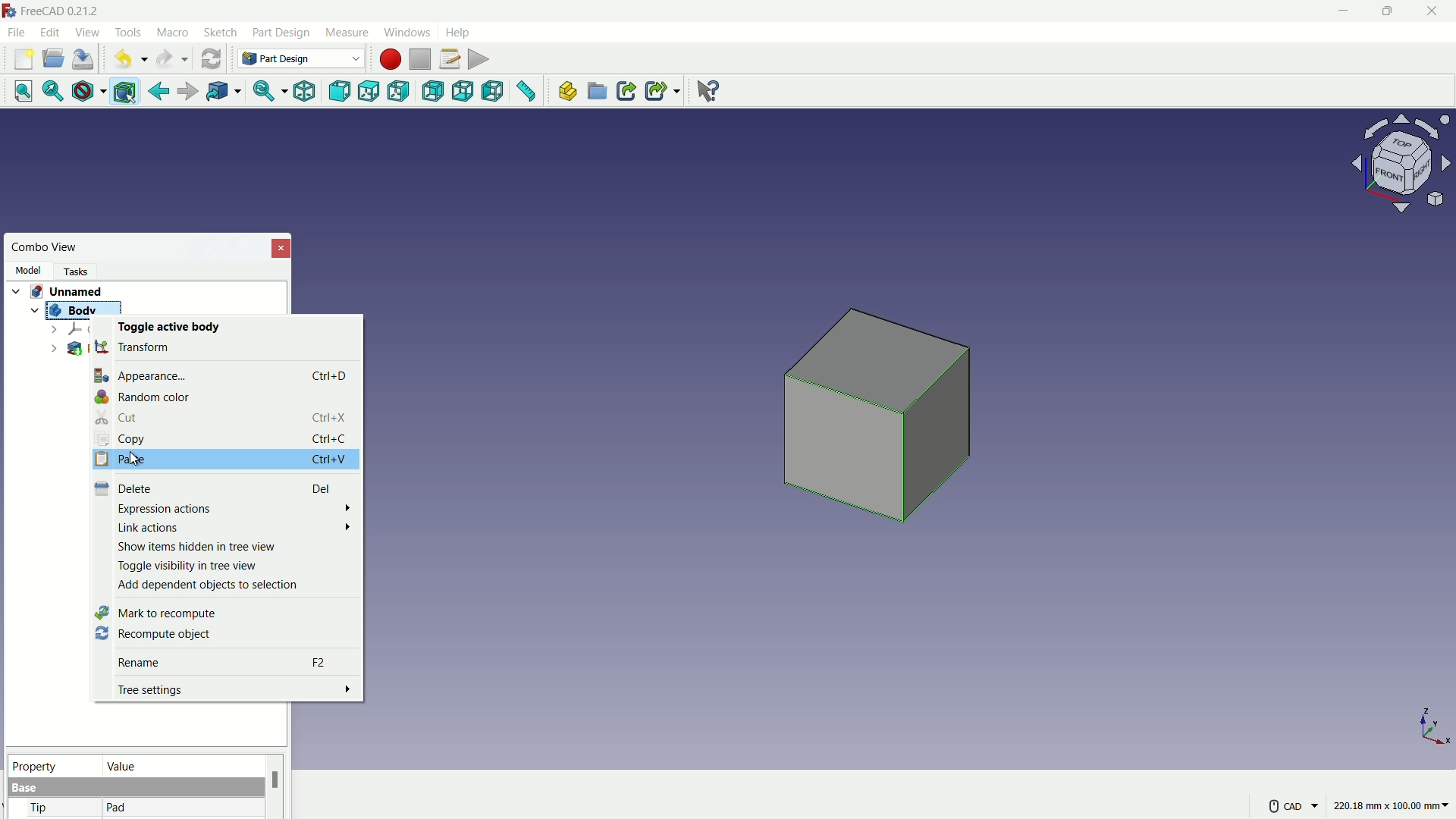 The height and width of the screenshot is (819, 1456). I want to click on CAD, so click(1291, 805).